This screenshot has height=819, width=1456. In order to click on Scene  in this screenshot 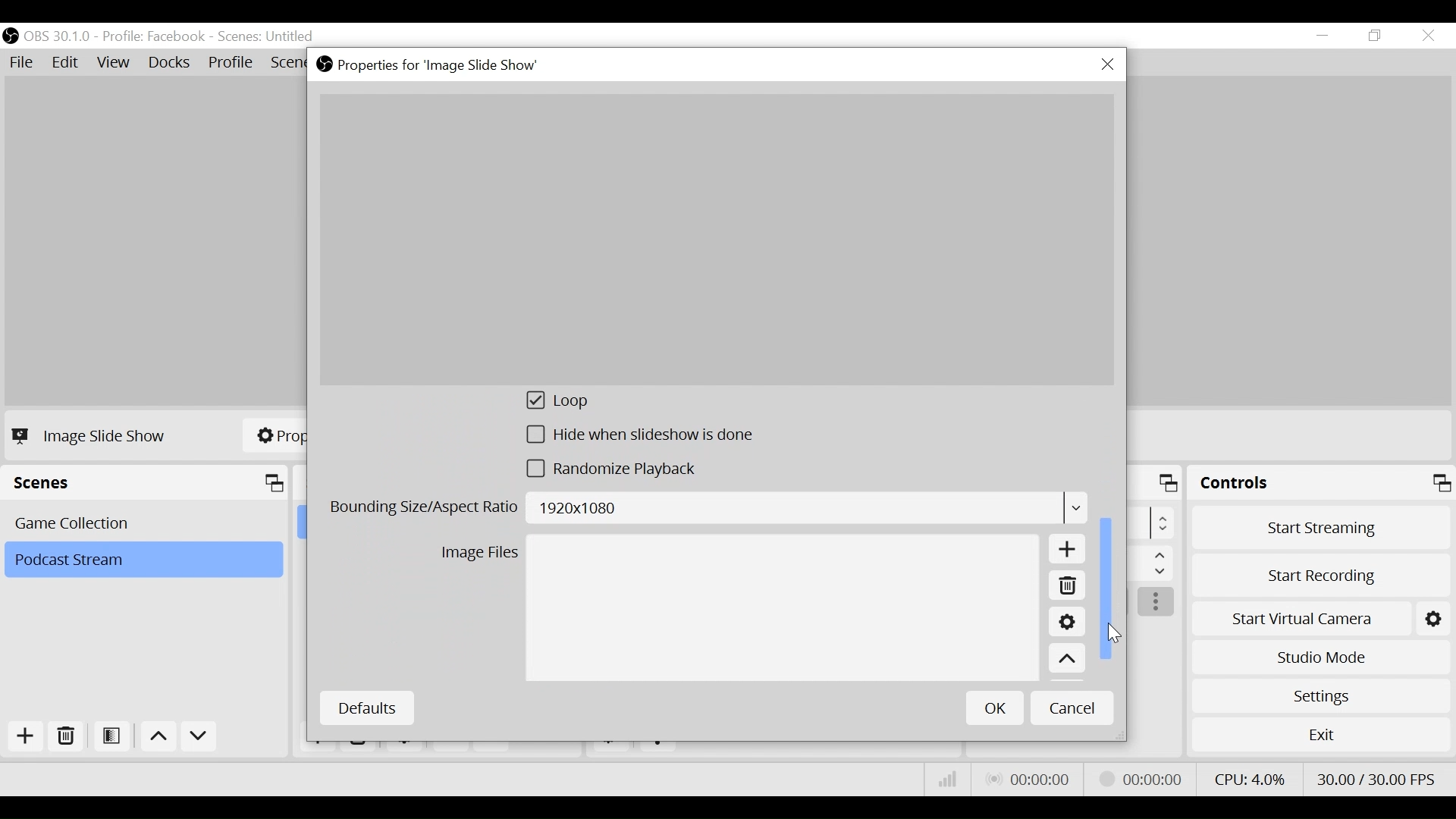, I will do `click(143, 560)`.